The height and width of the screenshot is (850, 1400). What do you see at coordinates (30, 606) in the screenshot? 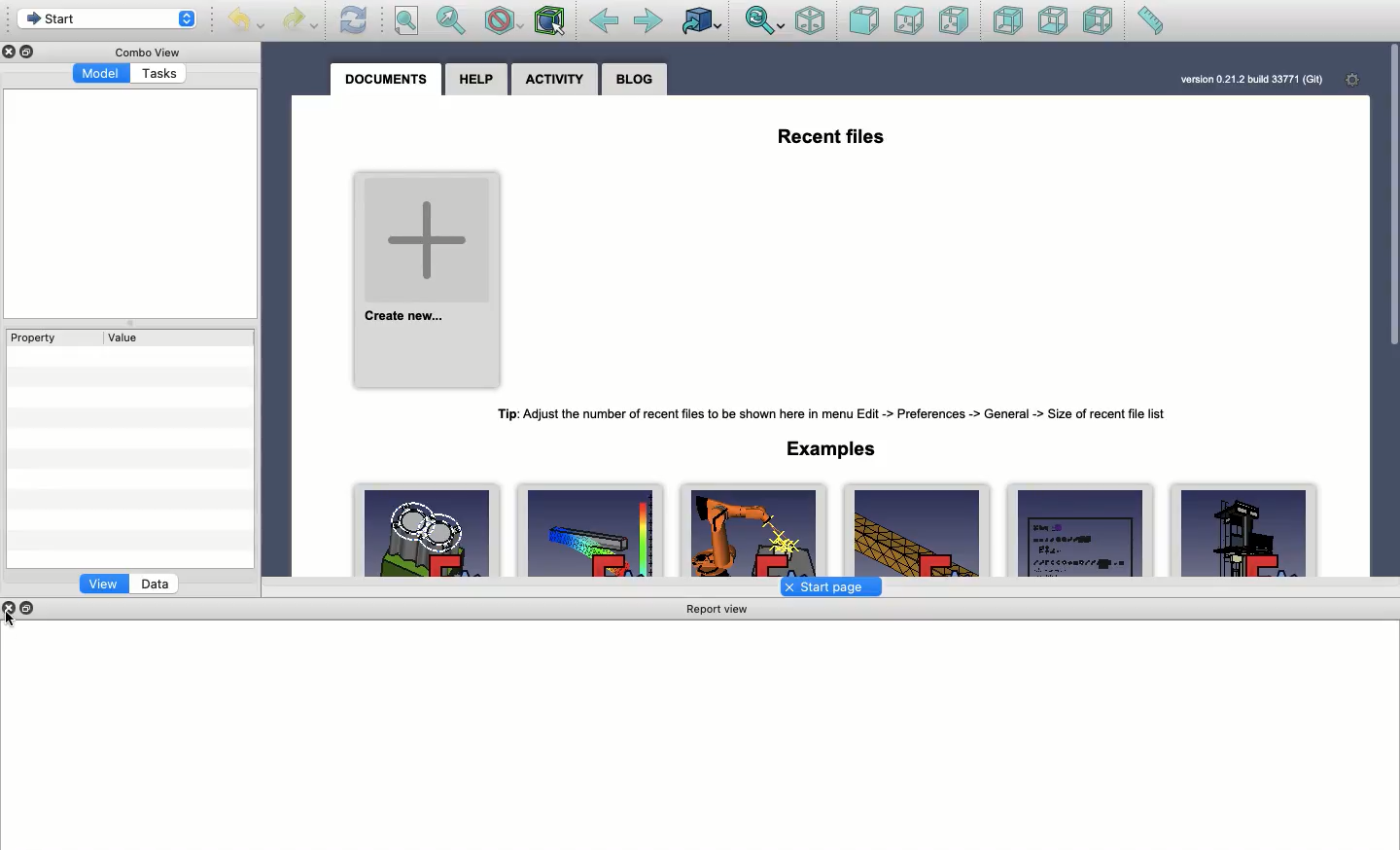
I see `Duplicate` at bounding box center [30, 606].